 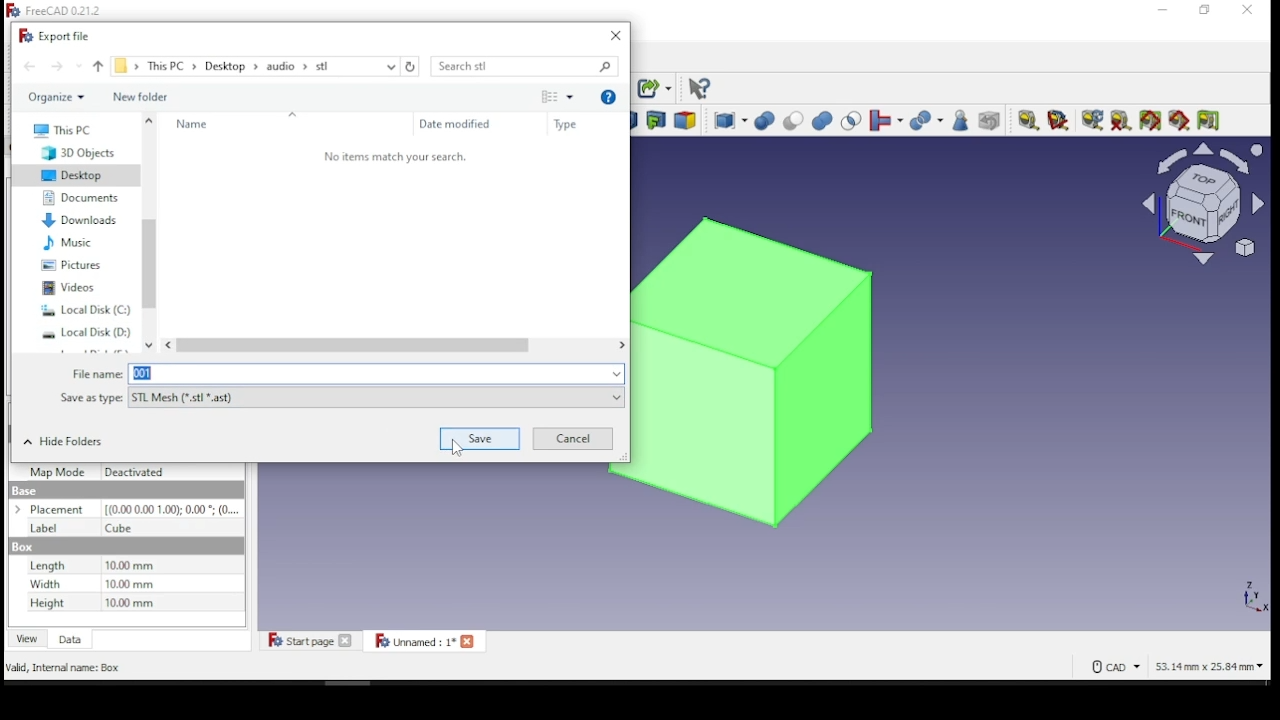 What do you see at coordinates (525, 66) in the screenshot?
I see `search bar` at bounding box center [525, 66].